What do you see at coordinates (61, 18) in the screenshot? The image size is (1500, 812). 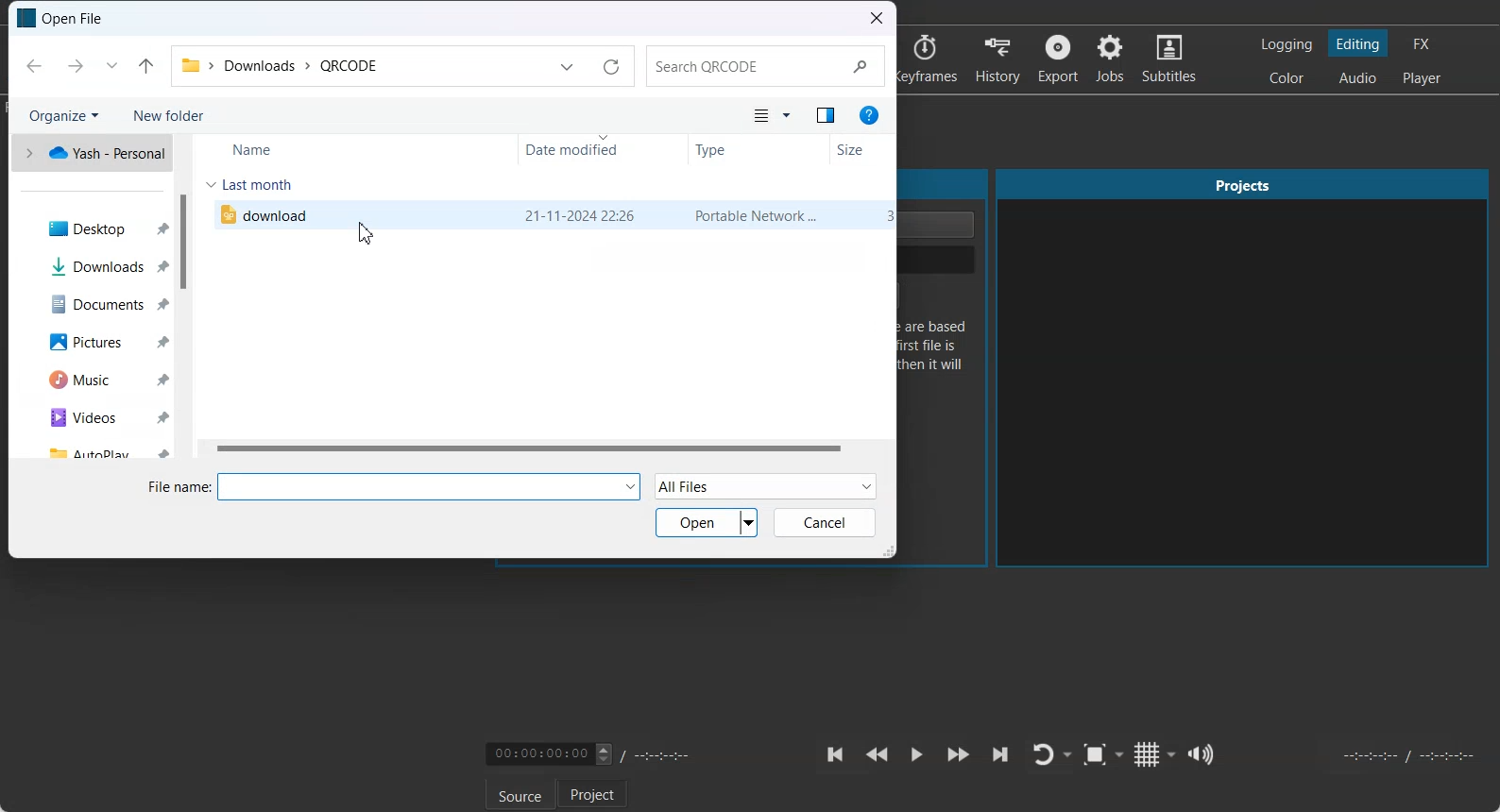 I see `Text` at bounding box center [61, 18].